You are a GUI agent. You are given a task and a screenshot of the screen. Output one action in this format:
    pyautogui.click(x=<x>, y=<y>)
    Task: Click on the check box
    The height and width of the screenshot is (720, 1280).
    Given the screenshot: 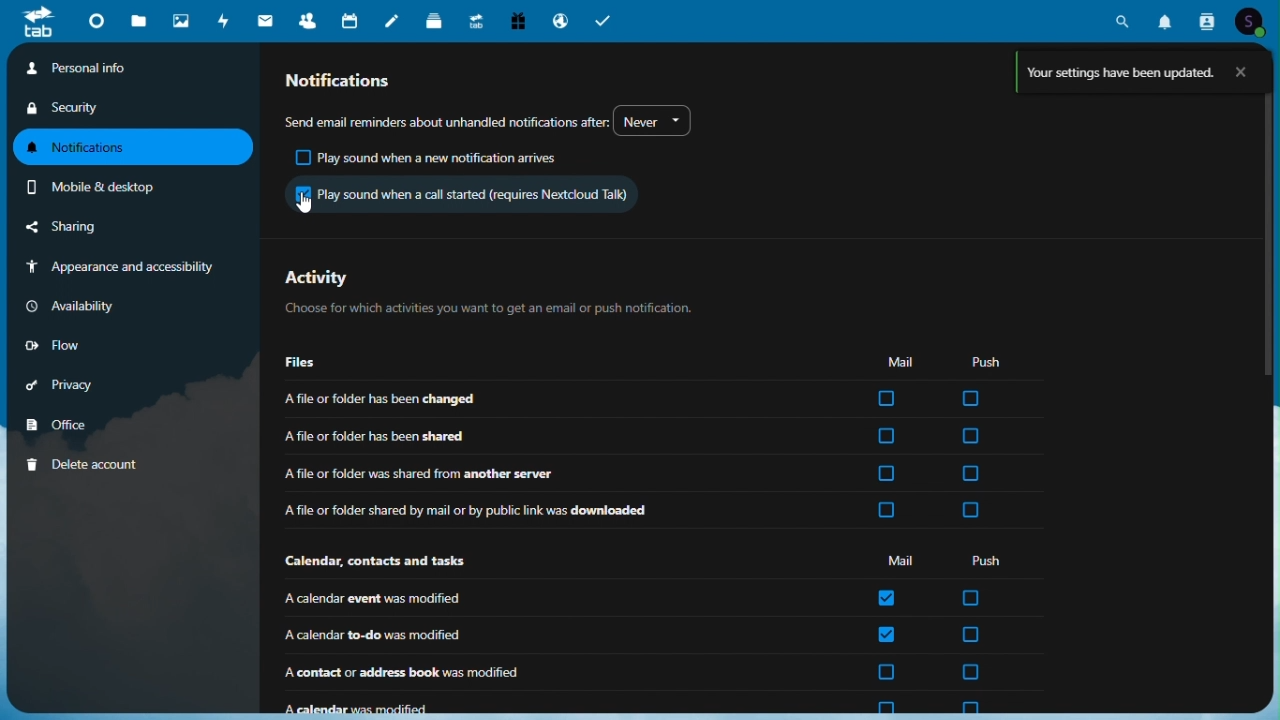 What is the action you would take?
    pyautogui.click(x=885, y=707)
    